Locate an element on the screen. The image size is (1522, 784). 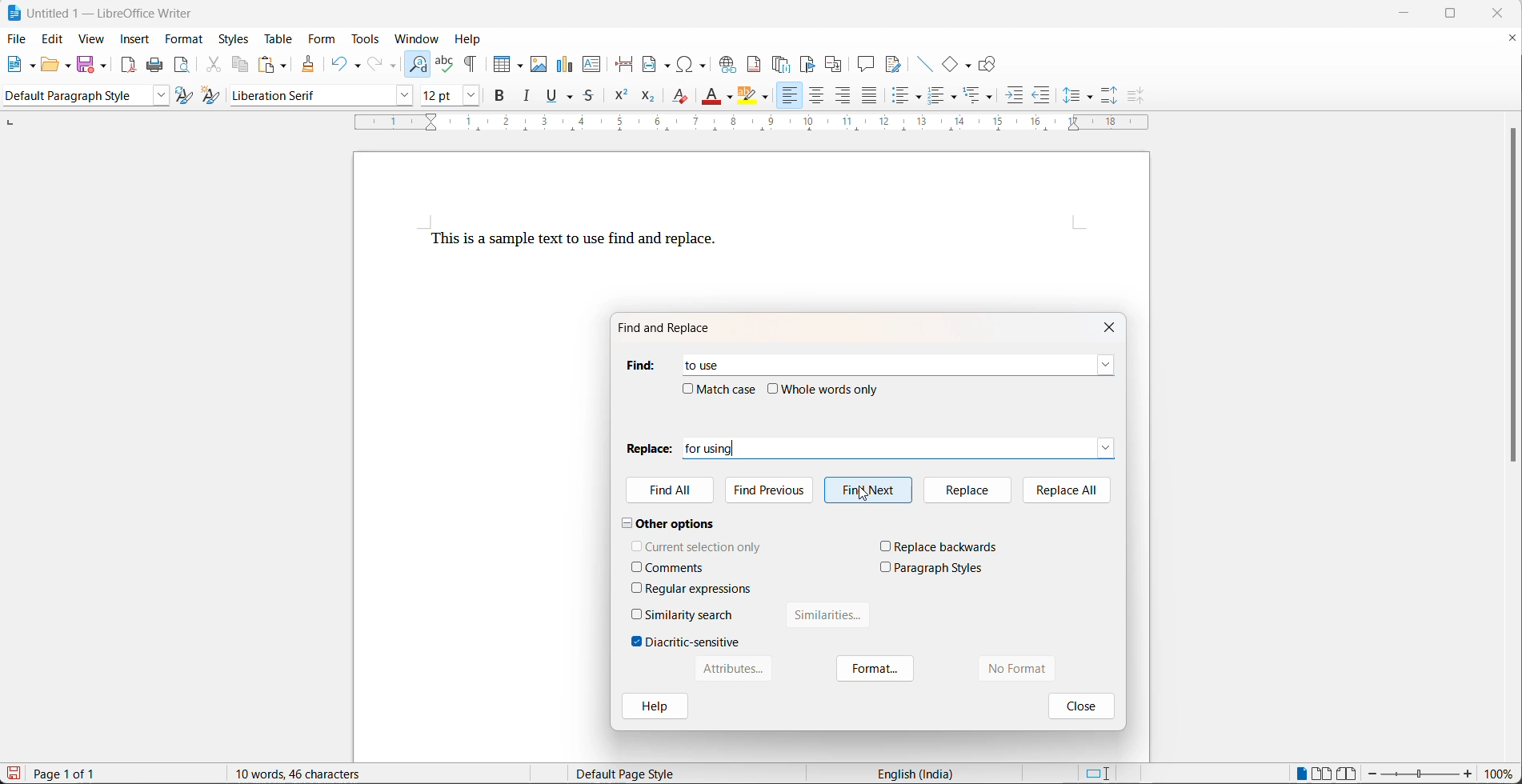
replace backwards is located at coordinates (947, 546).